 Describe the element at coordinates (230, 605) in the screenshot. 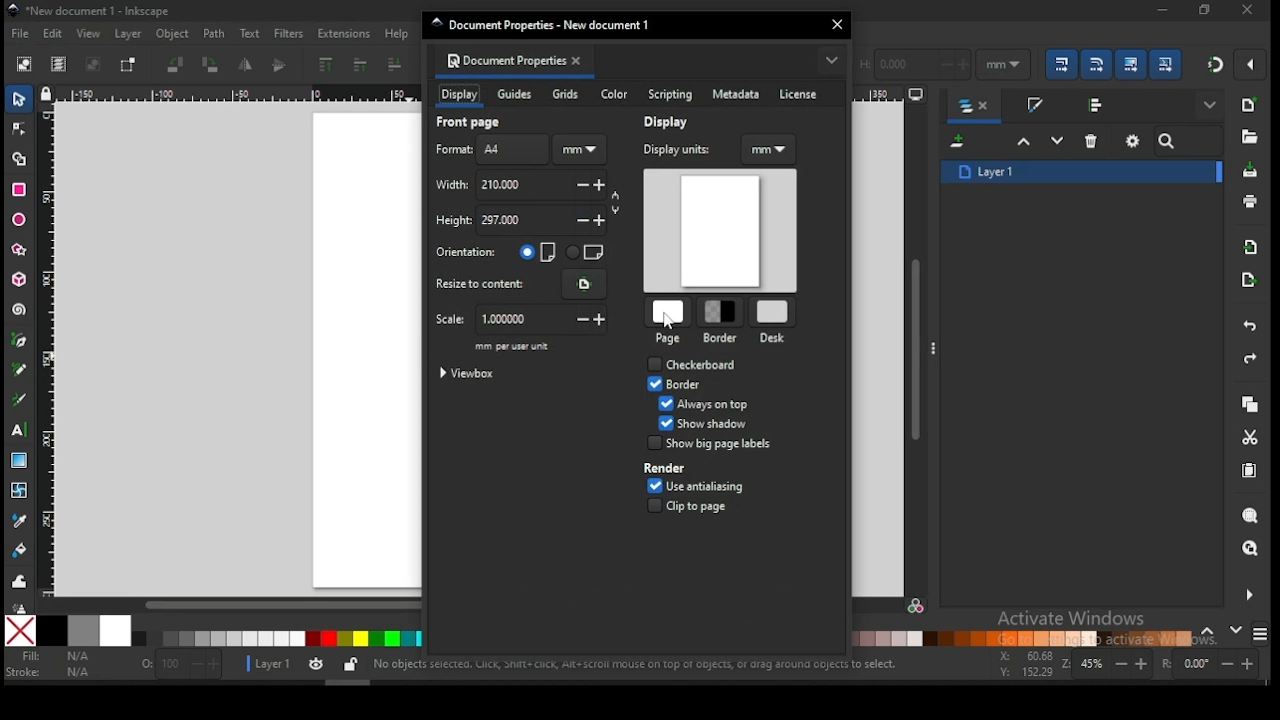

I see `scroll bar` at that location.